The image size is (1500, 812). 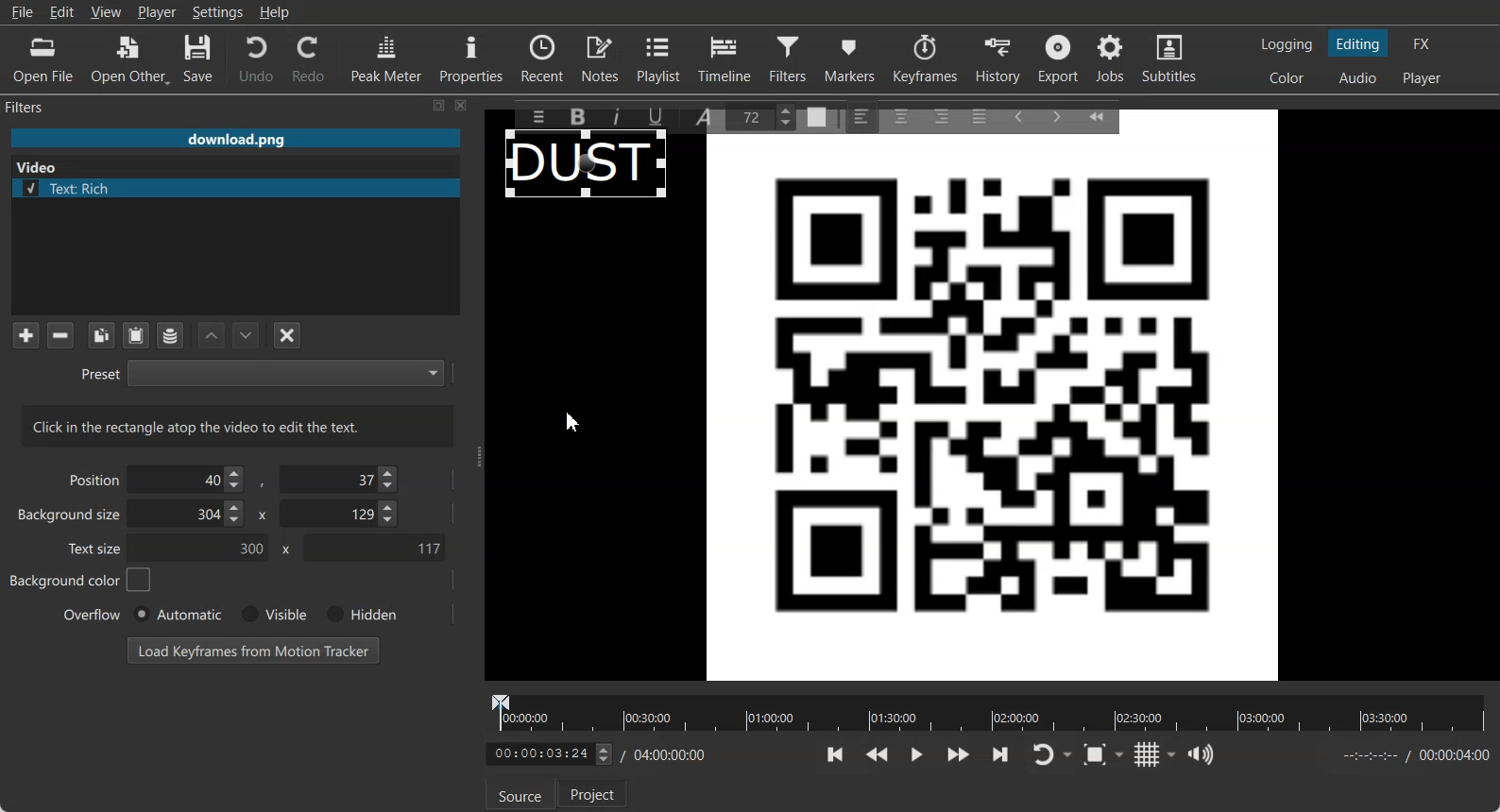 I want to click on Timeline, so click(x=725, y=58).